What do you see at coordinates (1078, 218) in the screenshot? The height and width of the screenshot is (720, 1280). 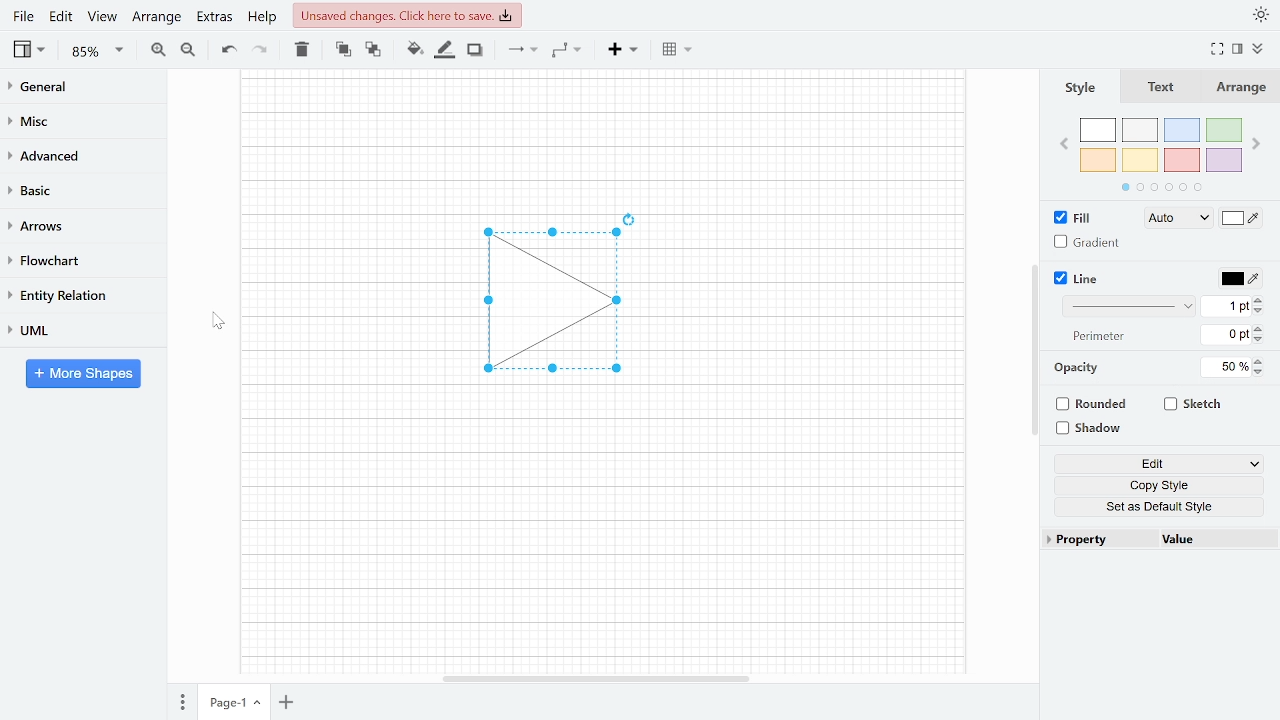 I see `Fill` at bounding box center [1078, 218].